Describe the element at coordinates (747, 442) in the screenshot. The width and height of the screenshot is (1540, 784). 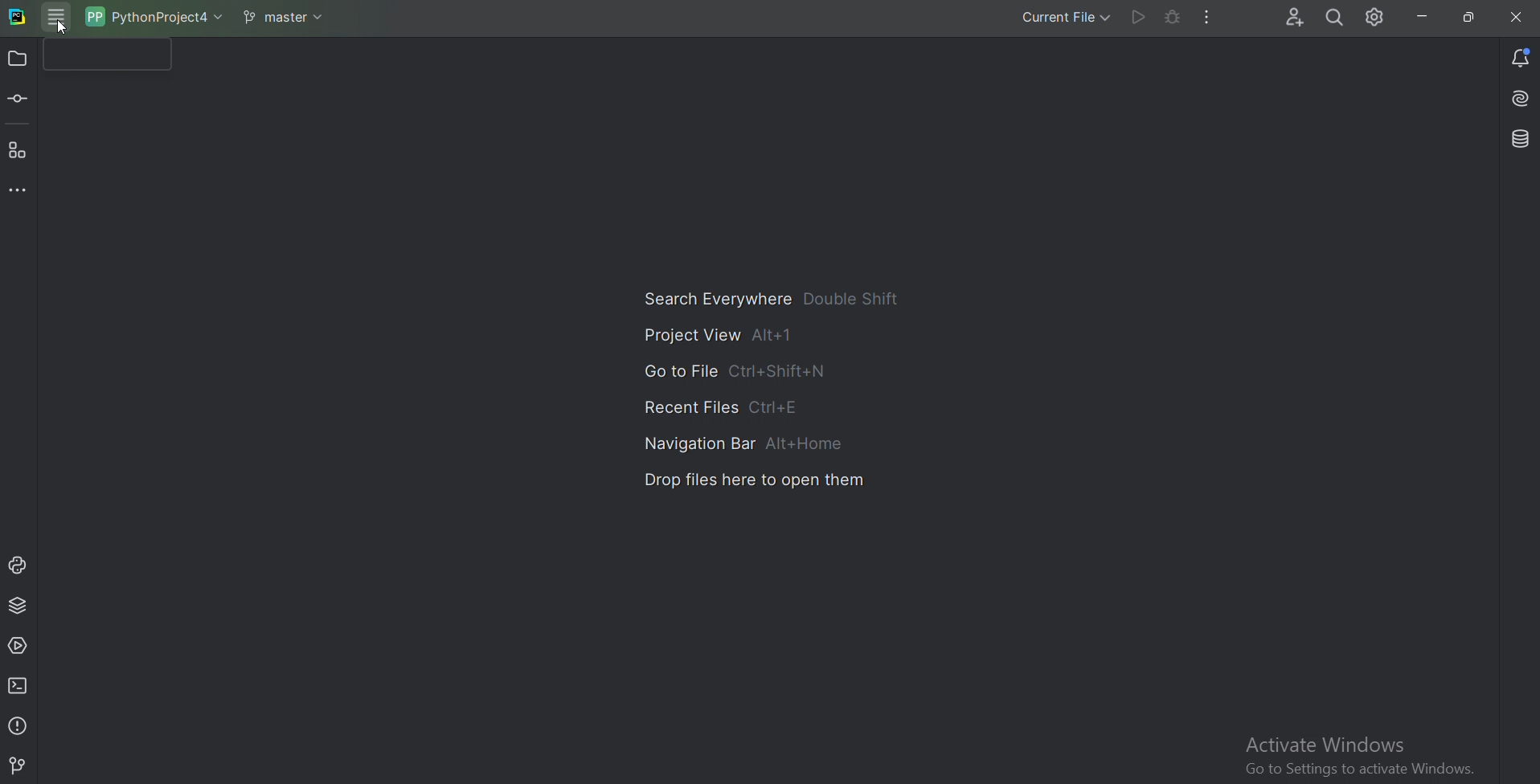
I see `Navigation bar` at that location.